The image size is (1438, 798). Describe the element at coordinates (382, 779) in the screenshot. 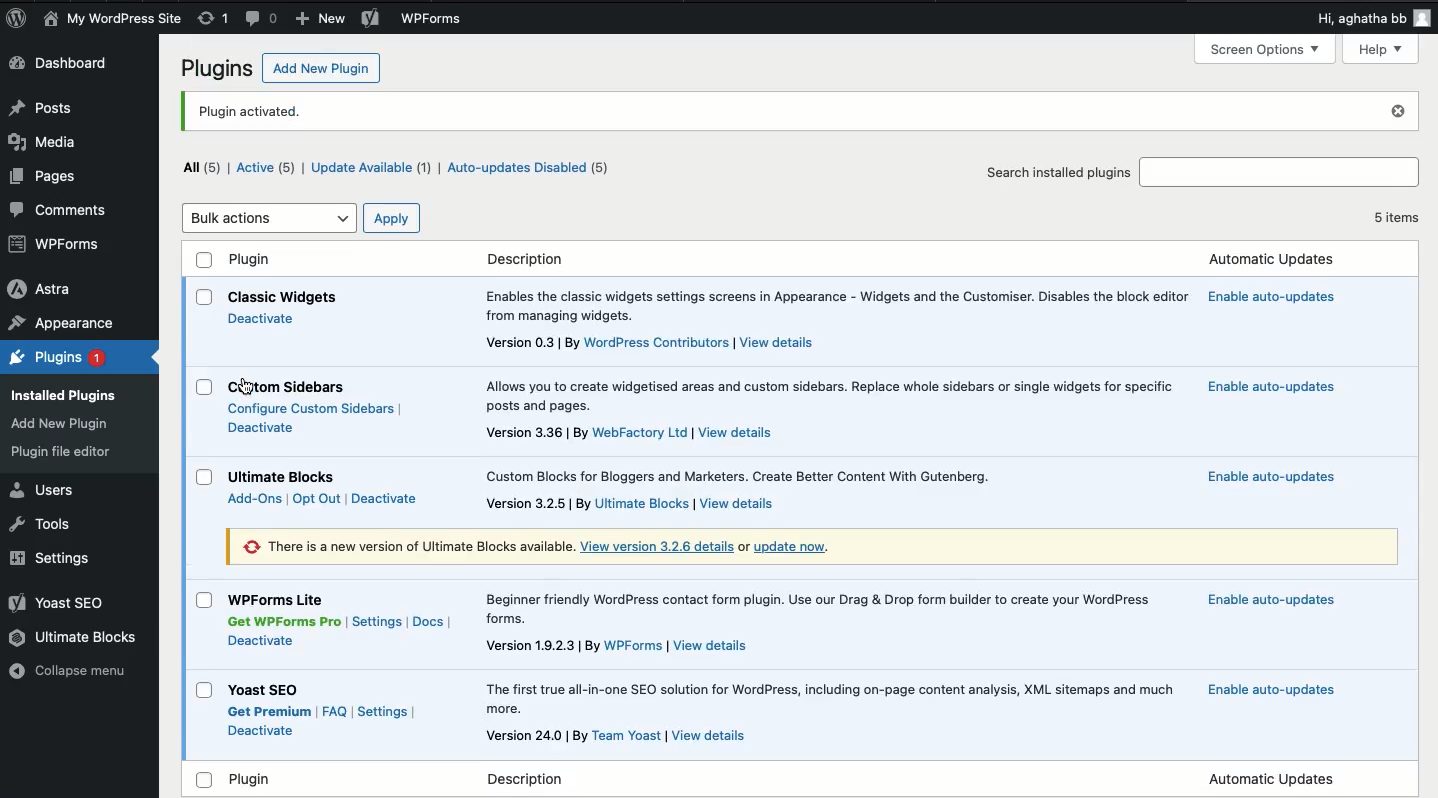

I see `plugin description` at that location.